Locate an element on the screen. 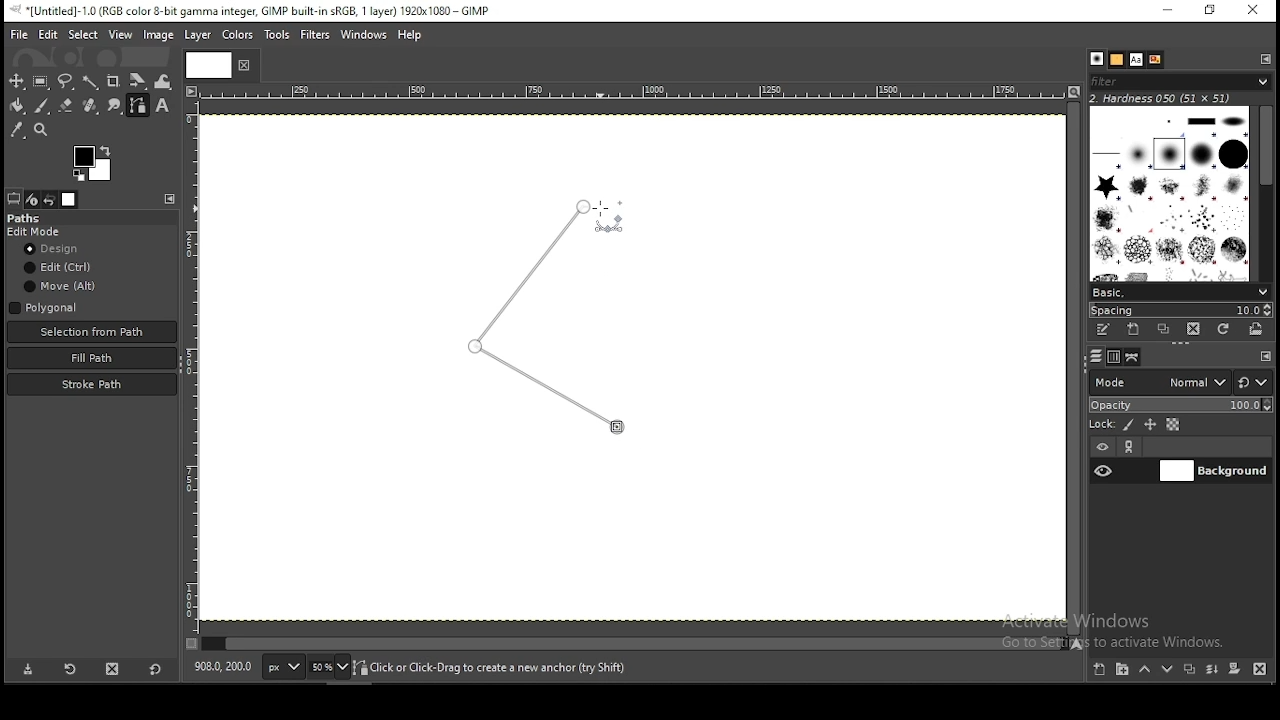 This screenshot has height=720, width=1280. layer 1 is located at coordinates (1213, 471).